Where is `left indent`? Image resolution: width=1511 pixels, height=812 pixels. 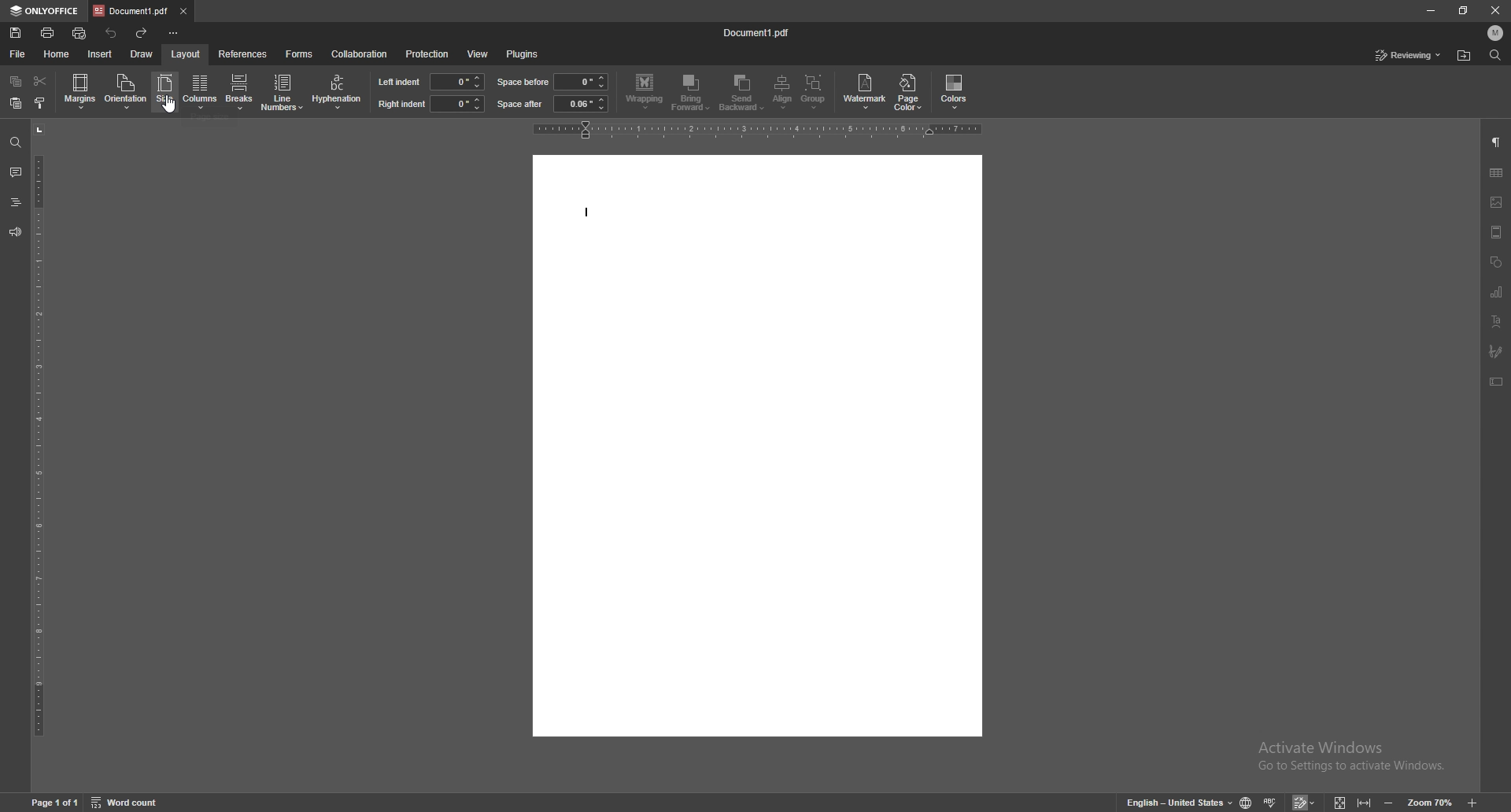 left indent is located at coordinates (399, 81).